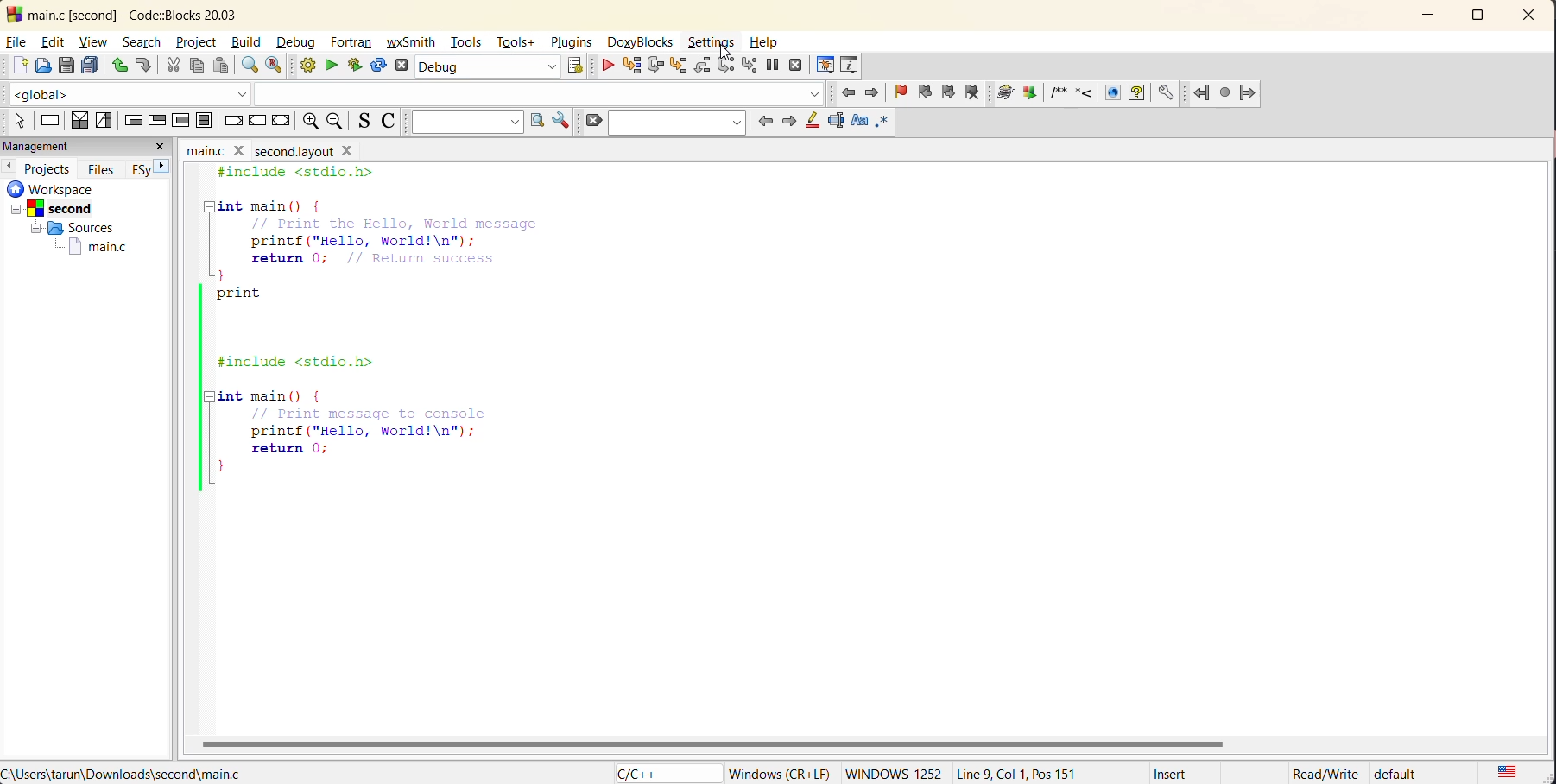  I want to click on various info, so click(850, 62).